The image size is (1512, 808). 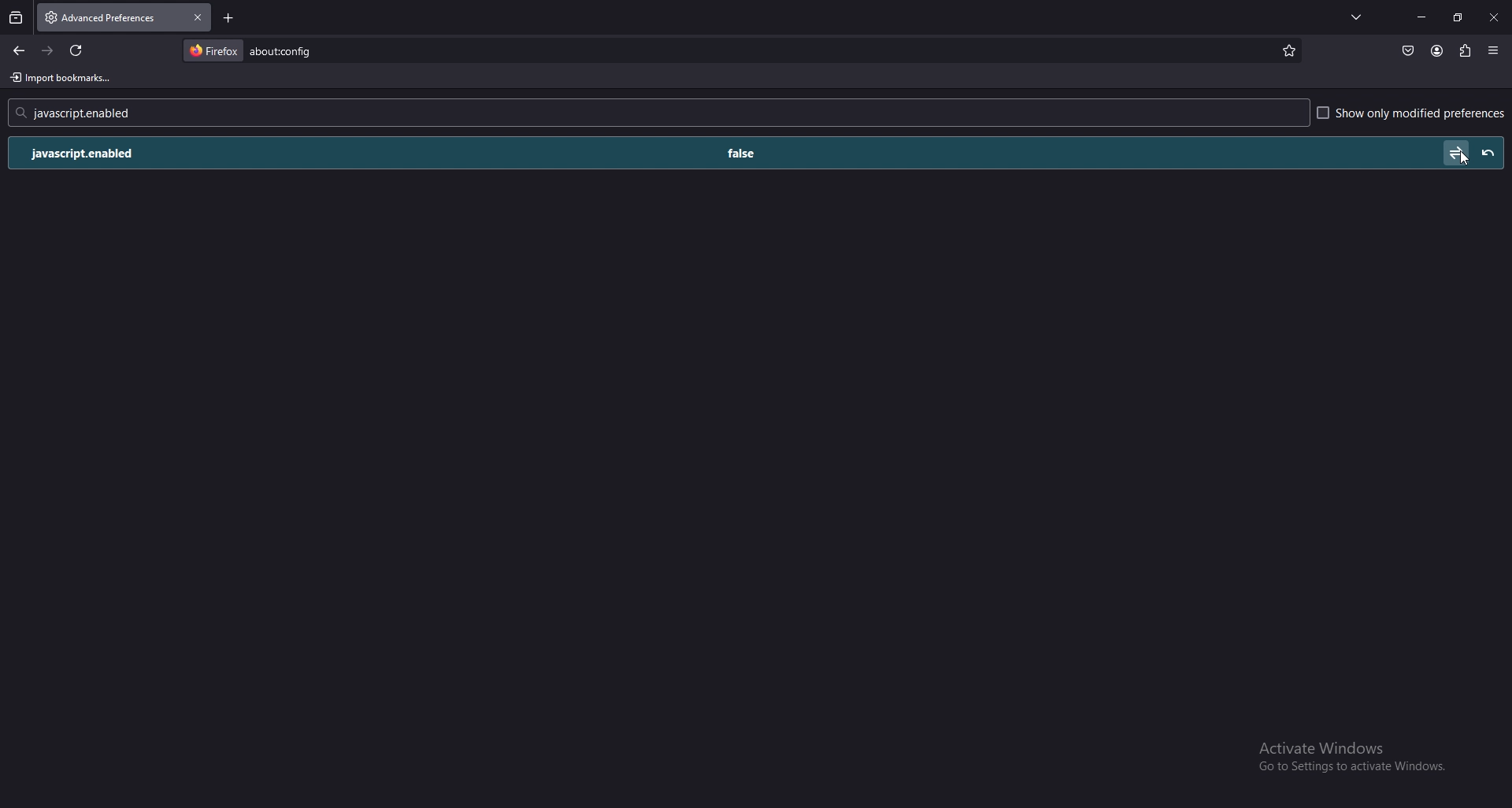 I want to click on application menu, so click(x=1495, y=50).